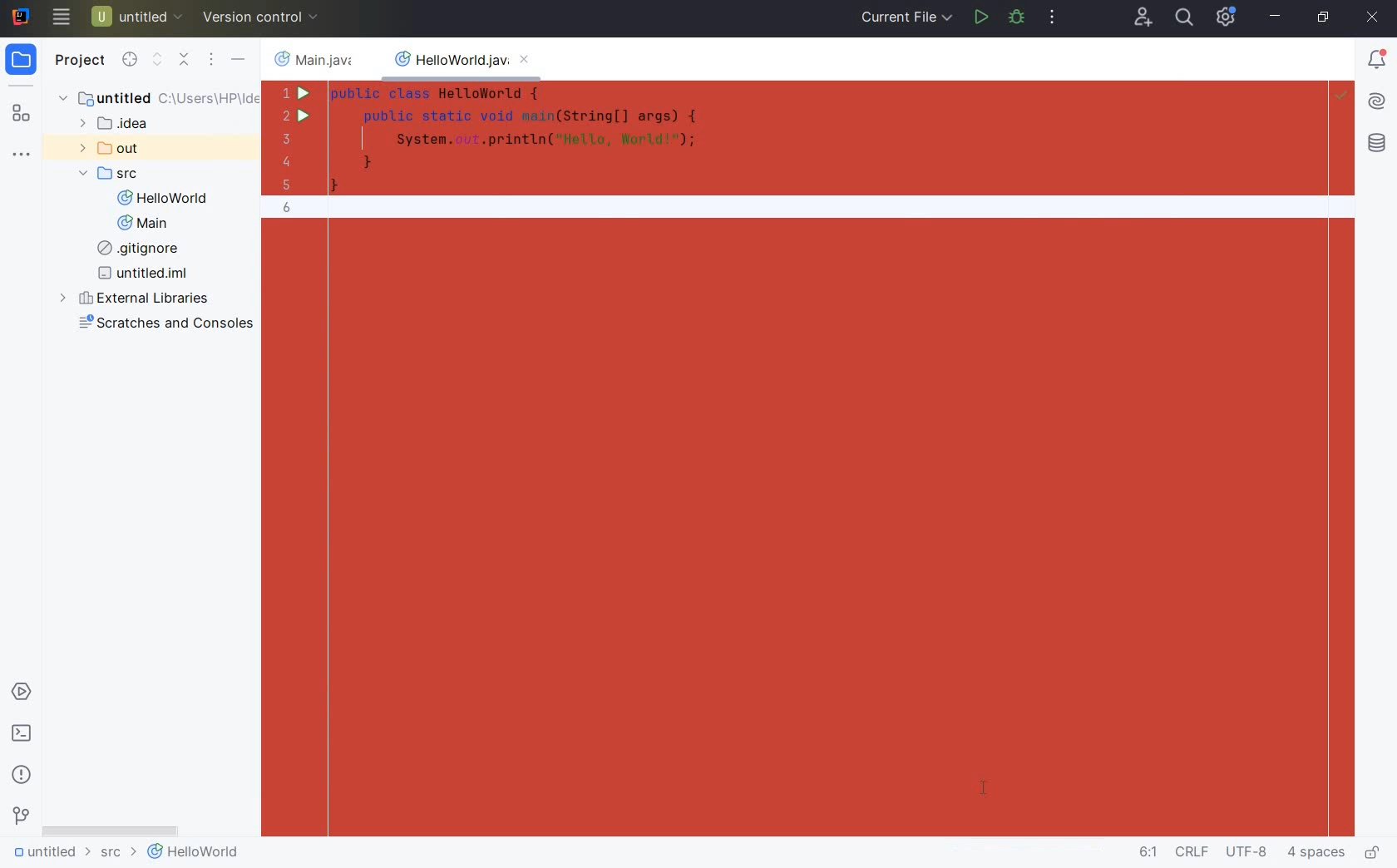 The height and width of the screenshot is (868, 1397). What do you see at coordinates (22, 774) in the screenshot?
I see `problems` at bounding box center [22, 774].